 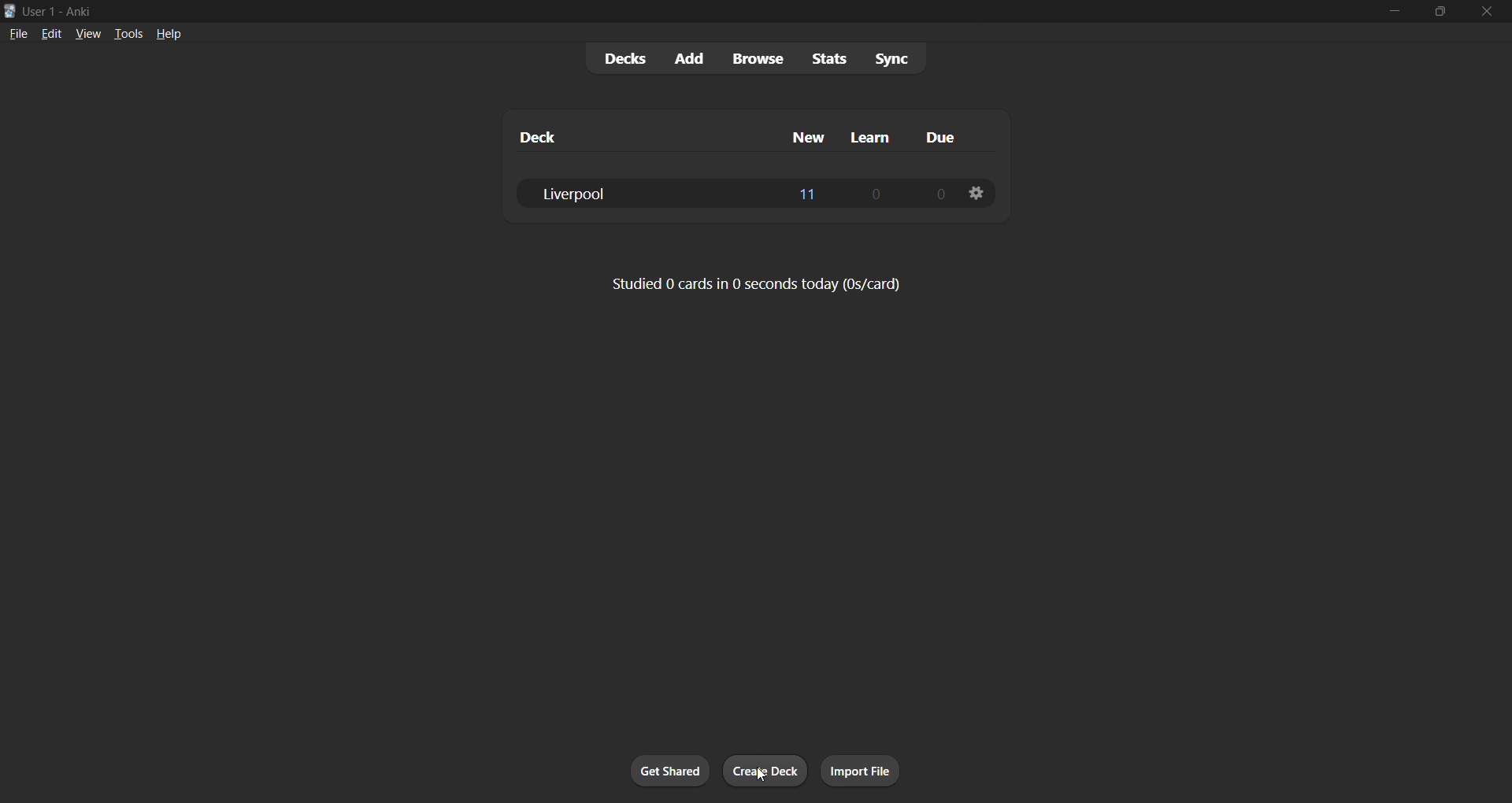 I want to click on import file, so click(x=859, y=772).